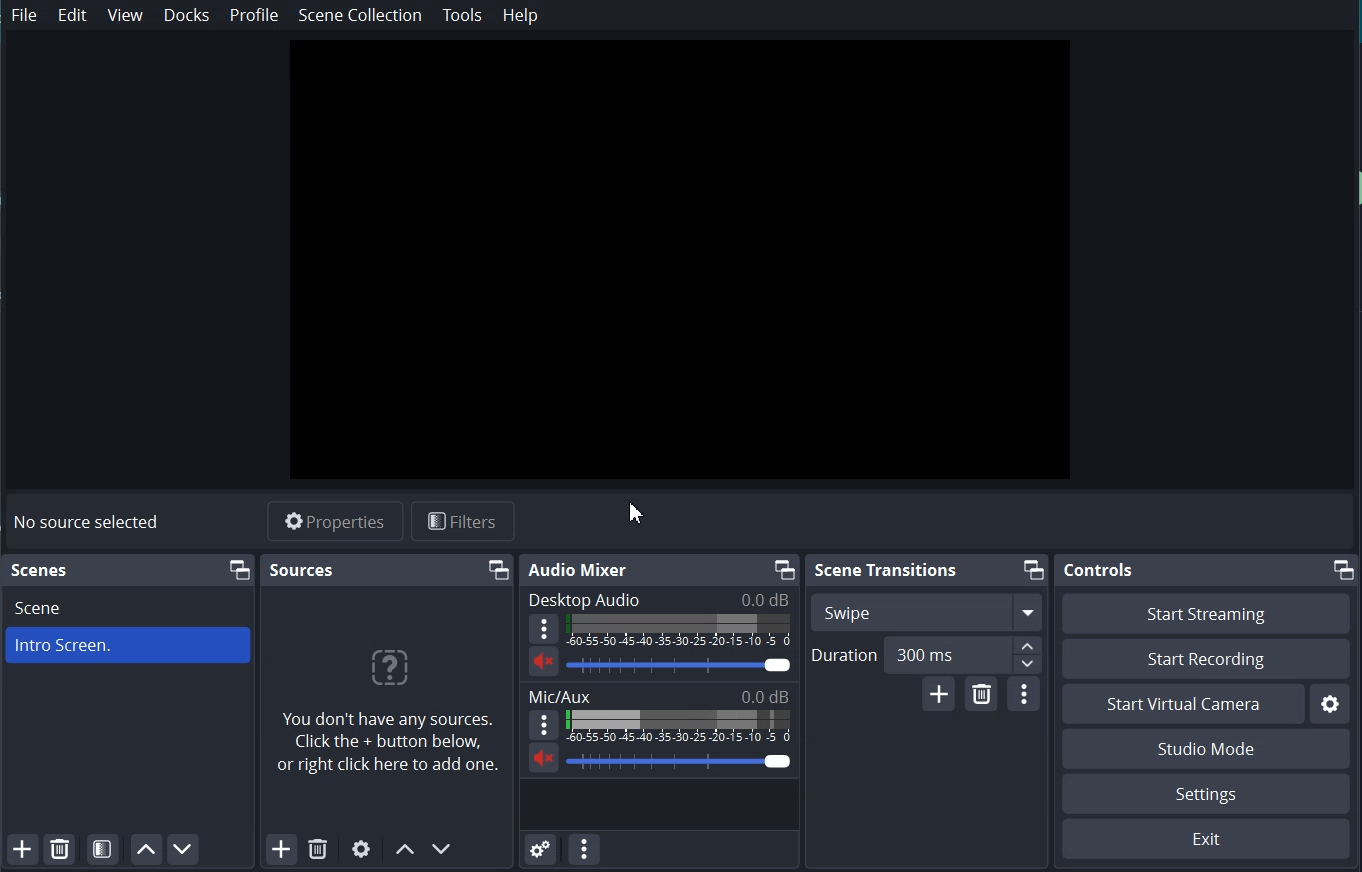  I want to click on Audio mixer, so click(580, 570).